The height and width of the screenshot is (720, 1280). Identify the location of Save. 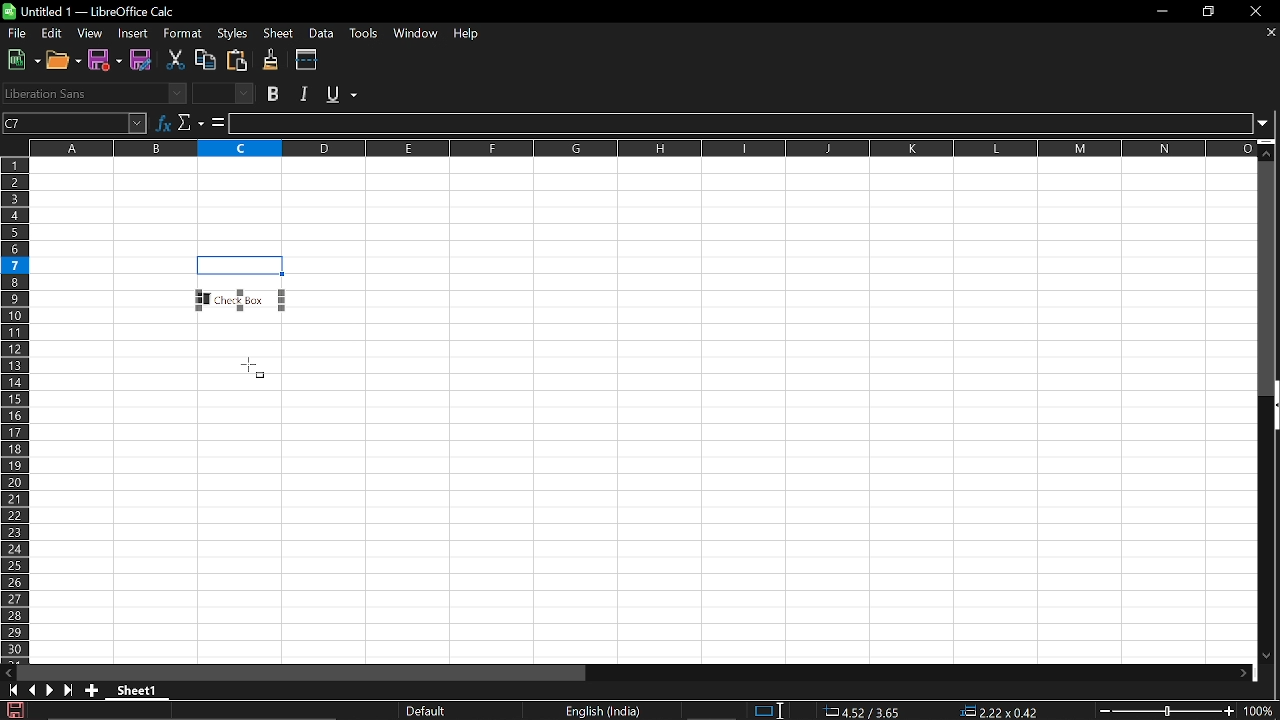
(13, 710).